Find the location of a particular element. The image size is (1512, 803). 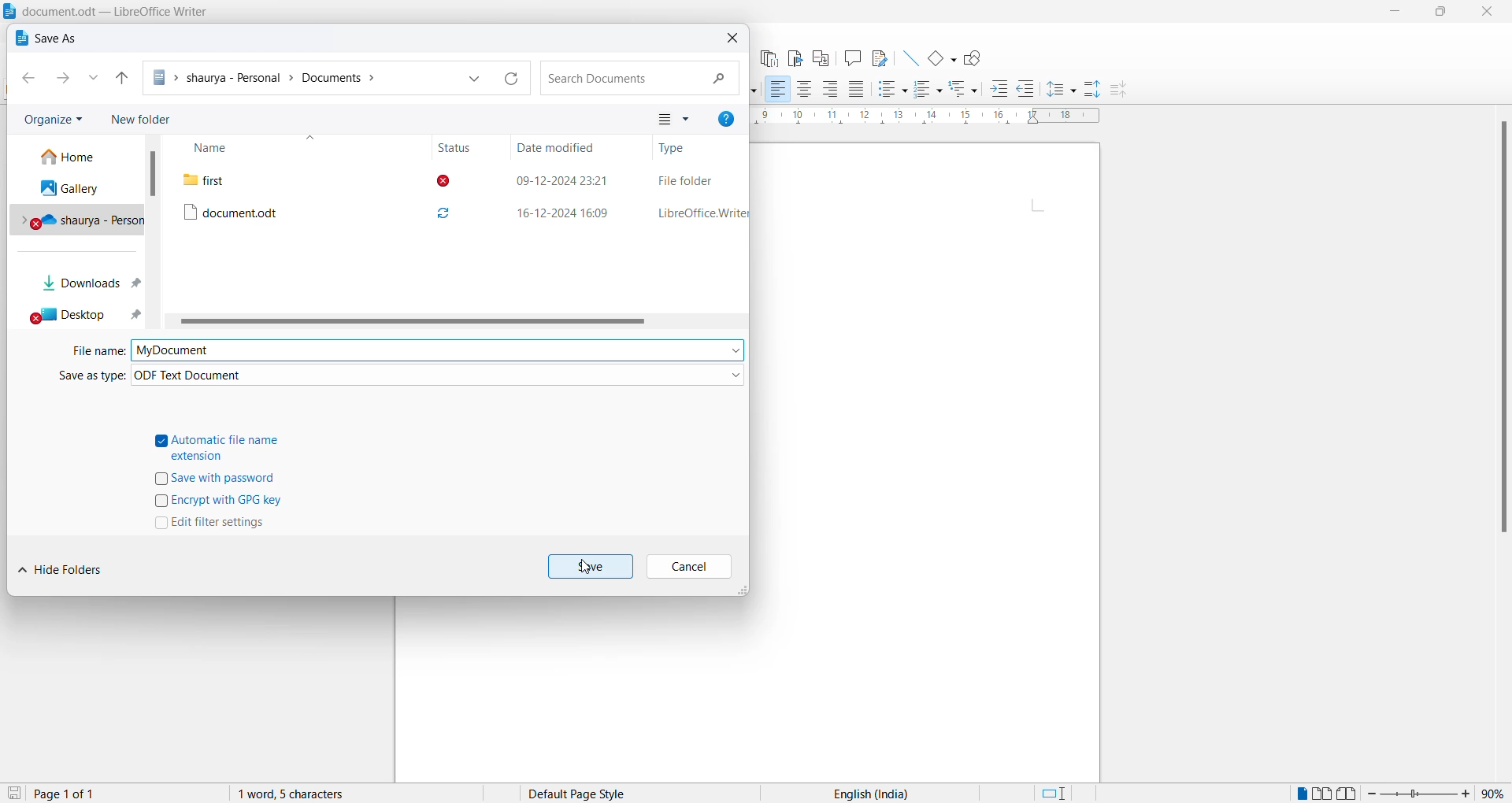

16-12-2024 16:09 is located at coordinates (561, 213).